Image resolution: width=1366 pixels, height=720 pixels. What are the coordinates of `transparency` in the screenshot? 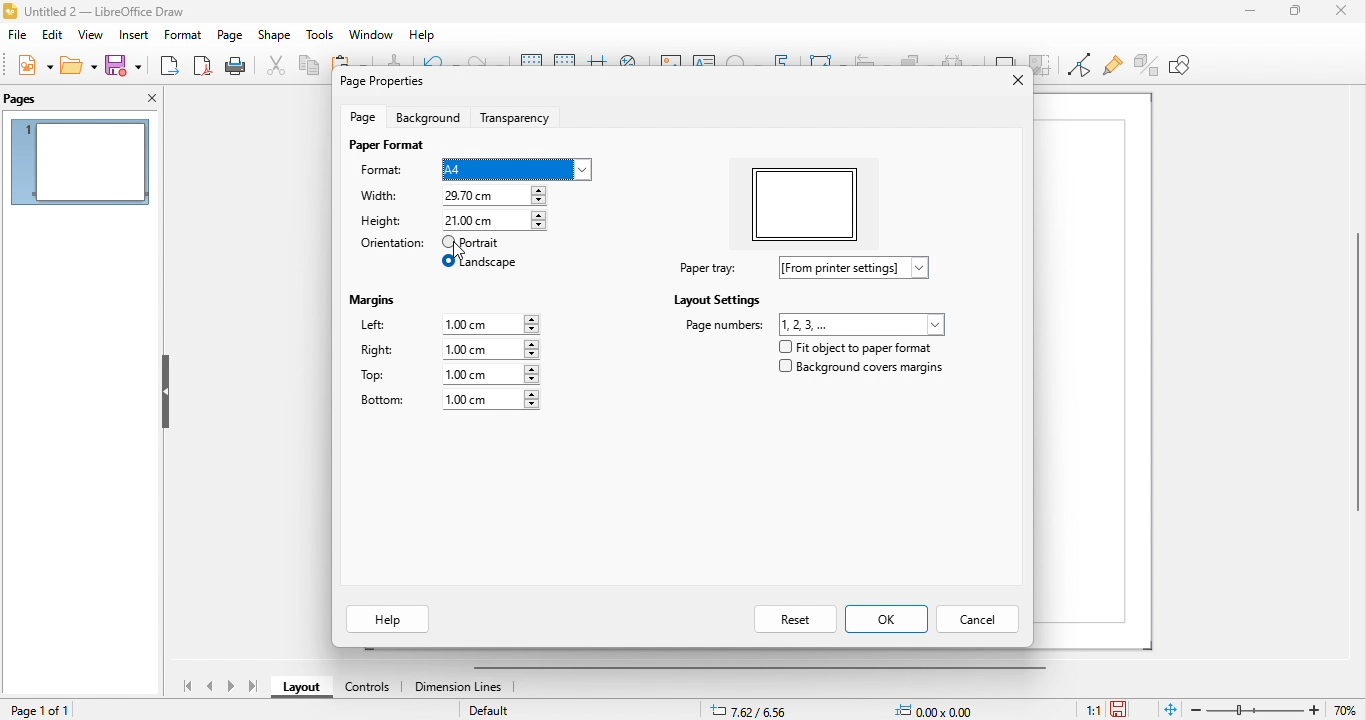 It's located at (519, 119).